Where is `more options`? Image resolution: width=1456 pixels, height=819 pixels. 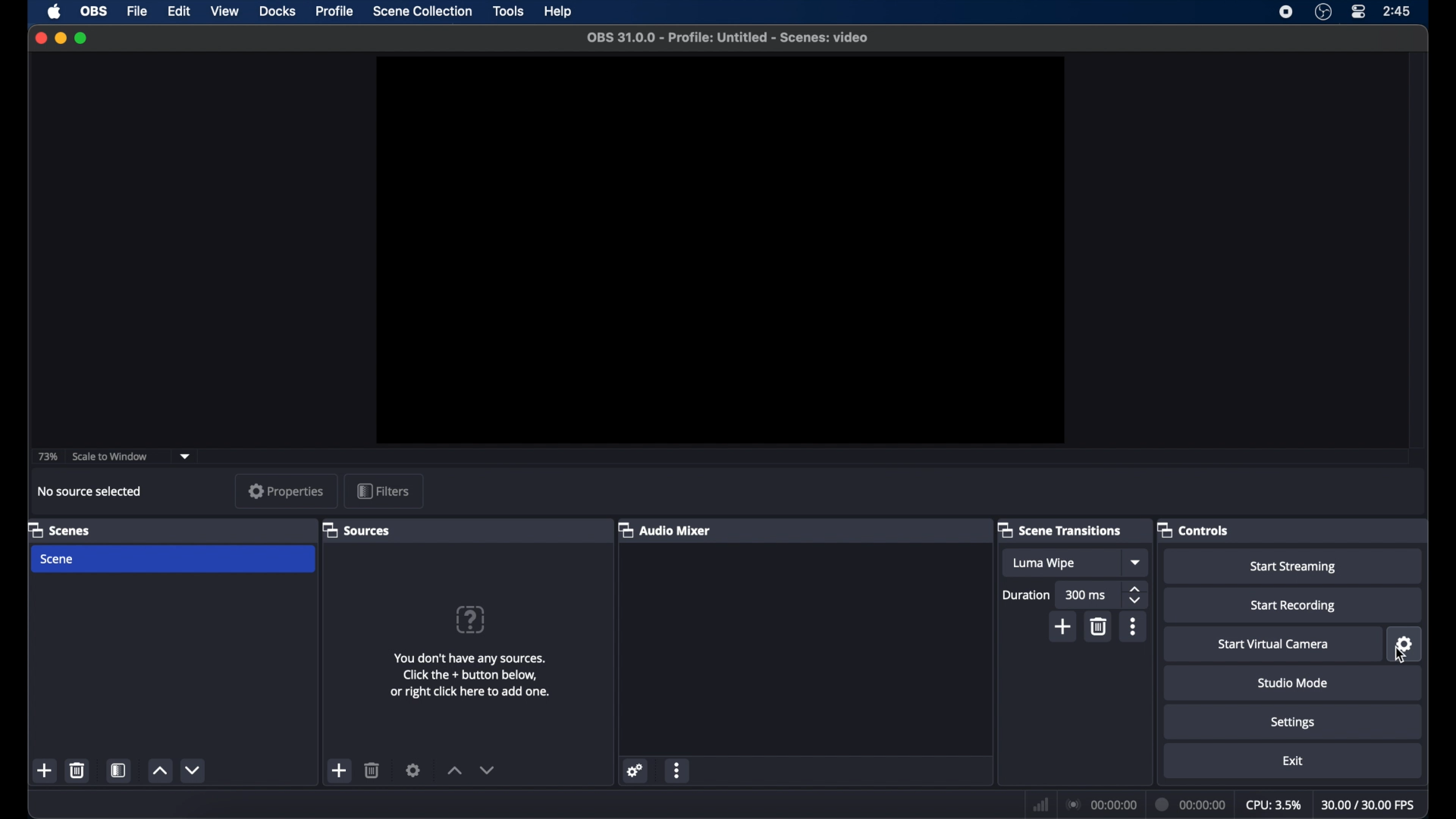 more options is located at coordinates (1134, 626).